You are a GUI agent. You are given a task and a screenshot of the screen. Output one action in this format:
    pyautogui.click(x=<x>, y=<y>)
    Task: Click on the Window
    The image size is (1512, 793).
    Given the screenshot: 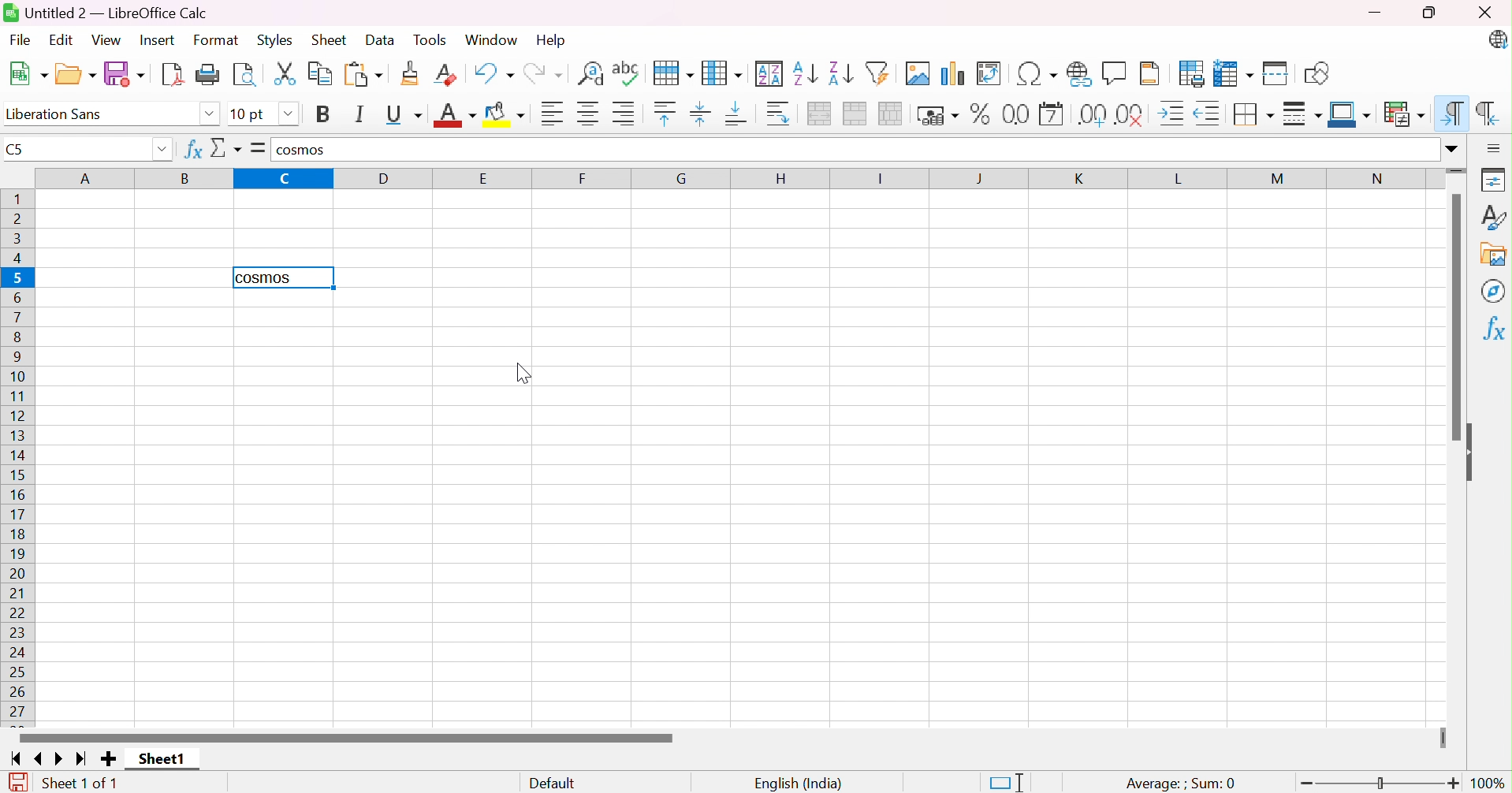 What is the action you would take?
    pyautogui.click(x=493, y=39)
    